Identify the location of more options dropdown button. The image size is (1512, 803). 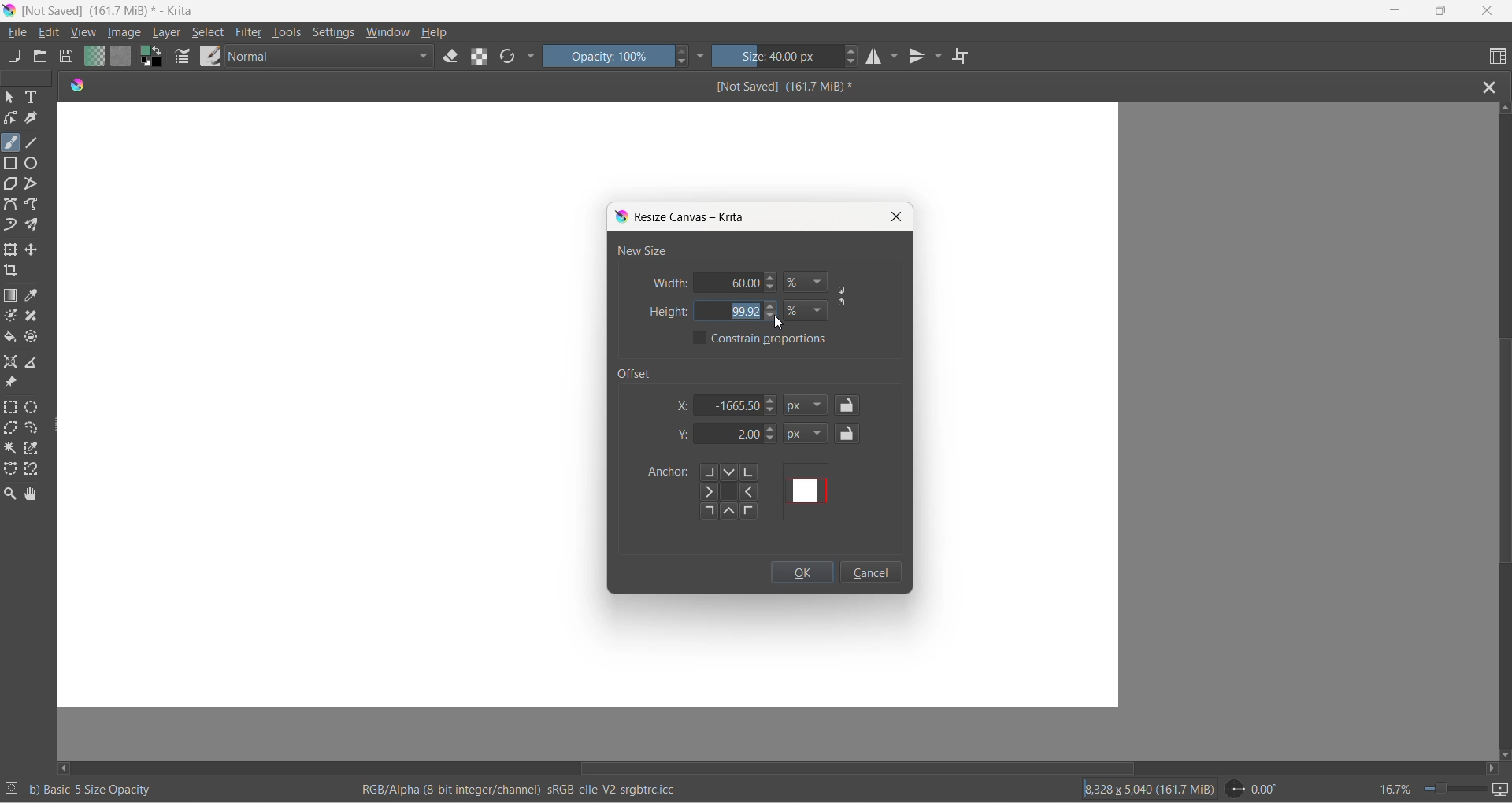
(531, 57).